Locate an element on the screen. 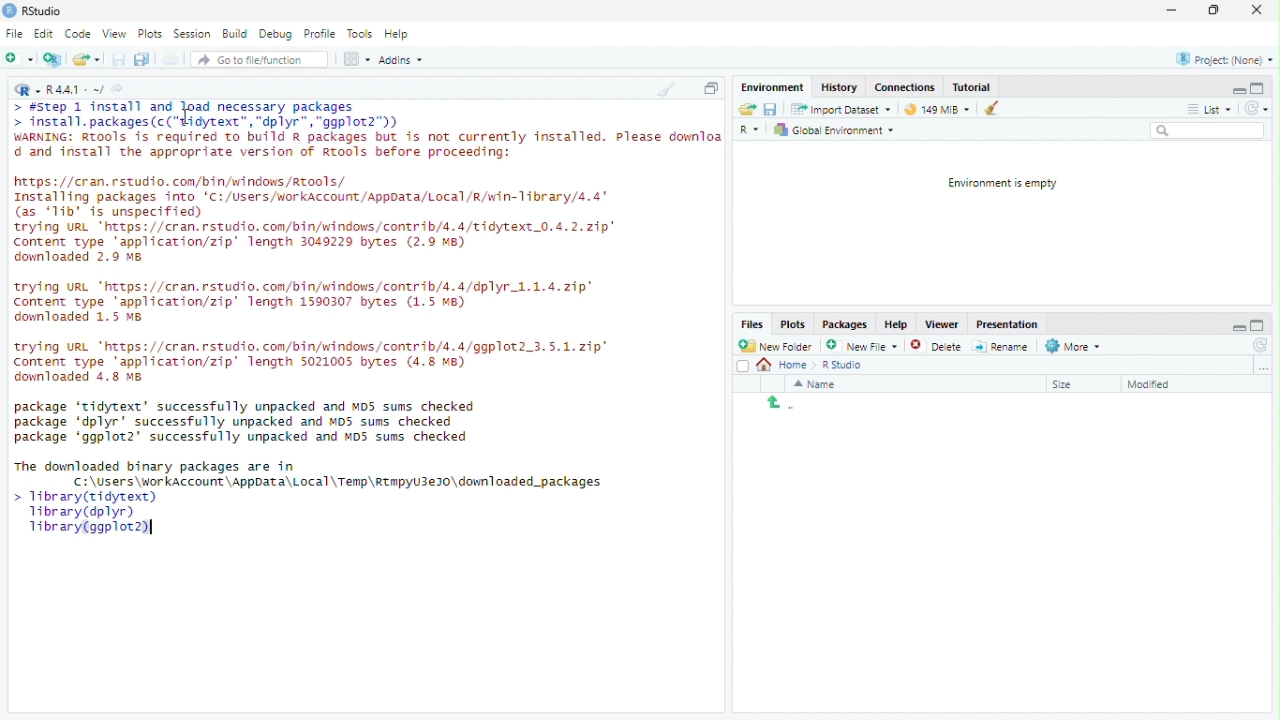  Workspace pane is located at coordinates (355, 60).